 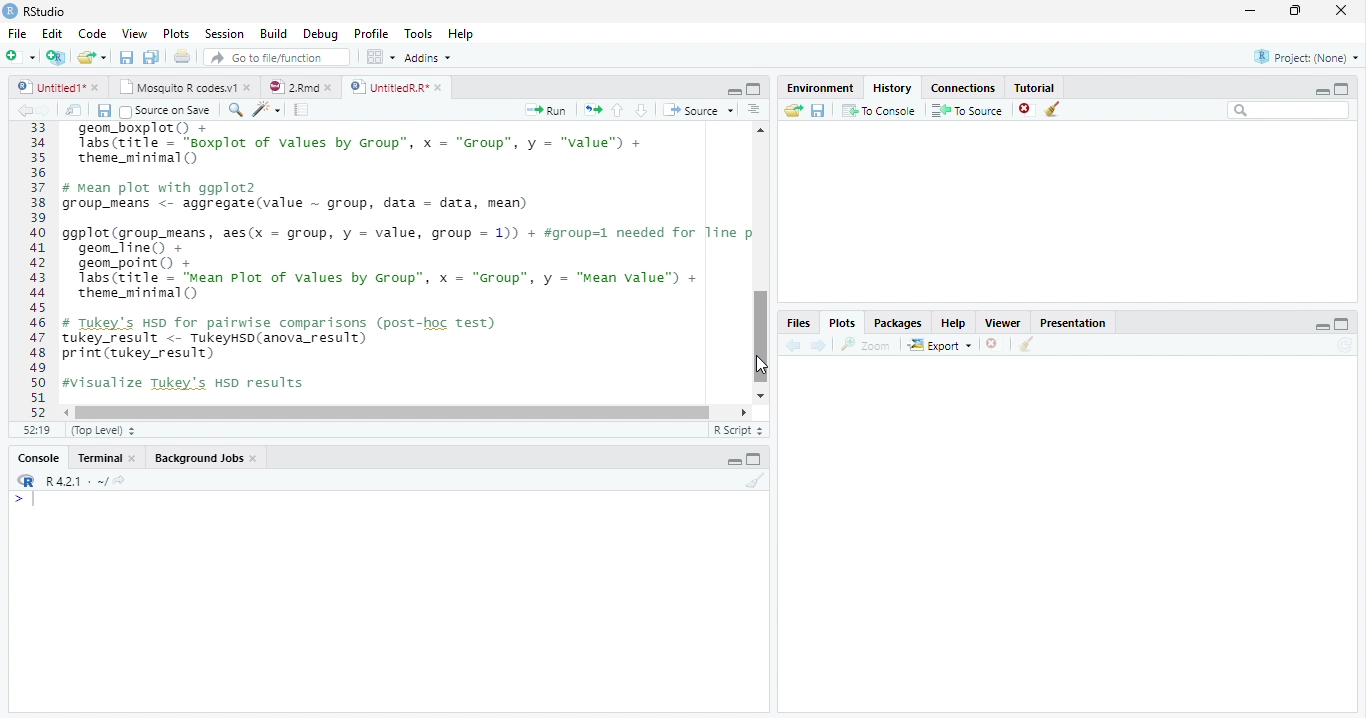 What do you see at coordinates (794, 111) in the screenshot?
I see `Load Workspace` at bounding box center [794, 111].